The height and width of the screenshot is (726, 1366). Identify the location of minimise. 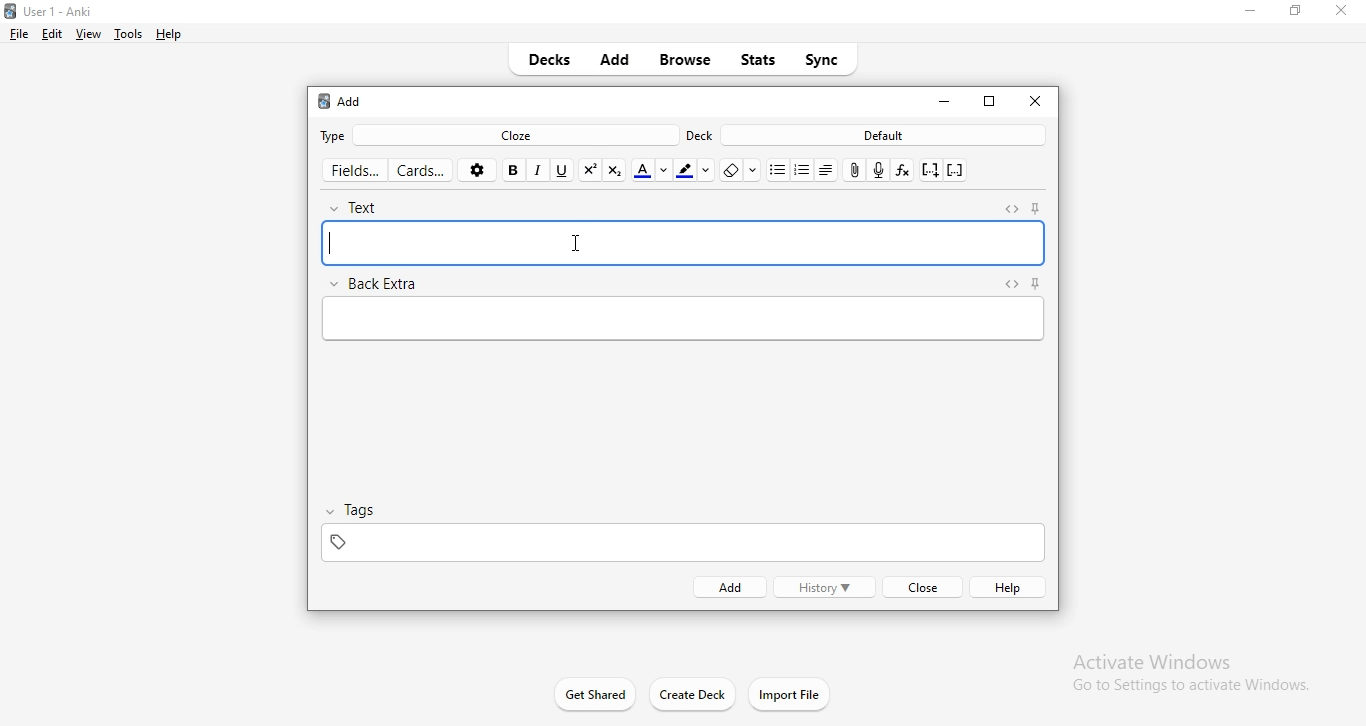
(1249, 14).